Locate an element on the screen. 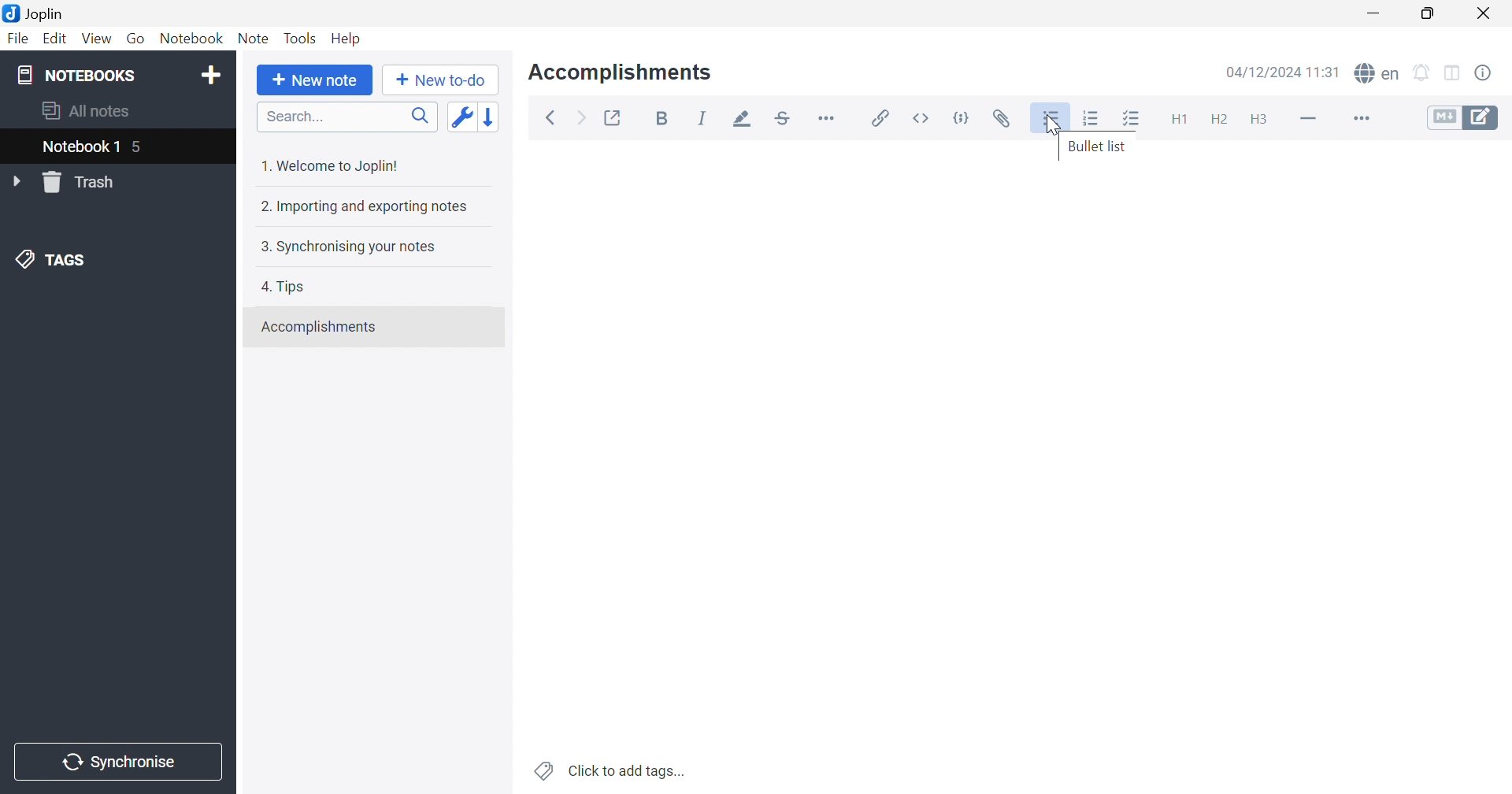 The image size is (1512, 794). Close is located at coordinates (1483, 13).